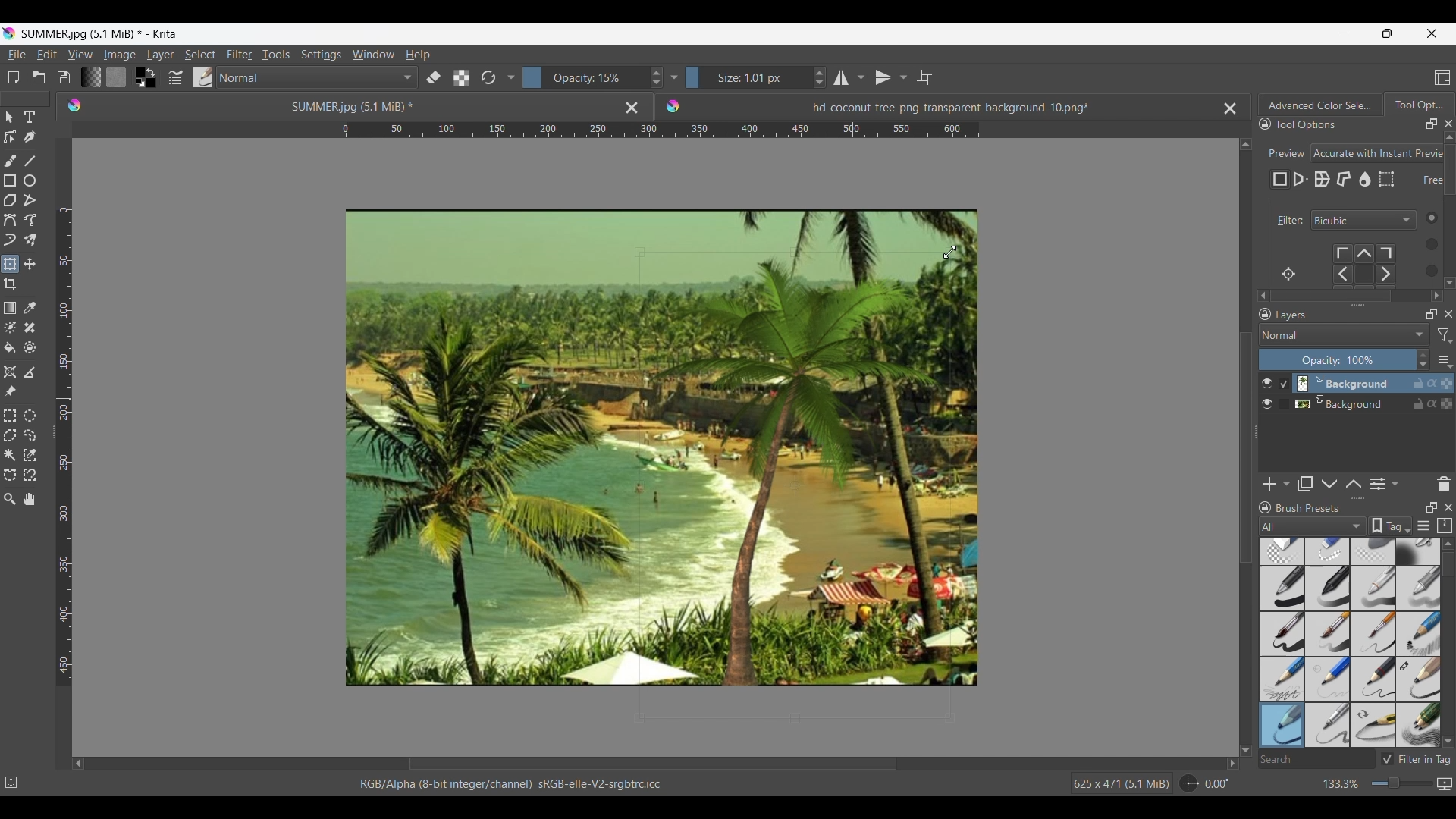 Image resolution: width=1456 pixels, height=819 pixels. What do you see at coordinates (1281, 588) in the screenshot?
I see `basic1` at bounding box center [1281, 588].